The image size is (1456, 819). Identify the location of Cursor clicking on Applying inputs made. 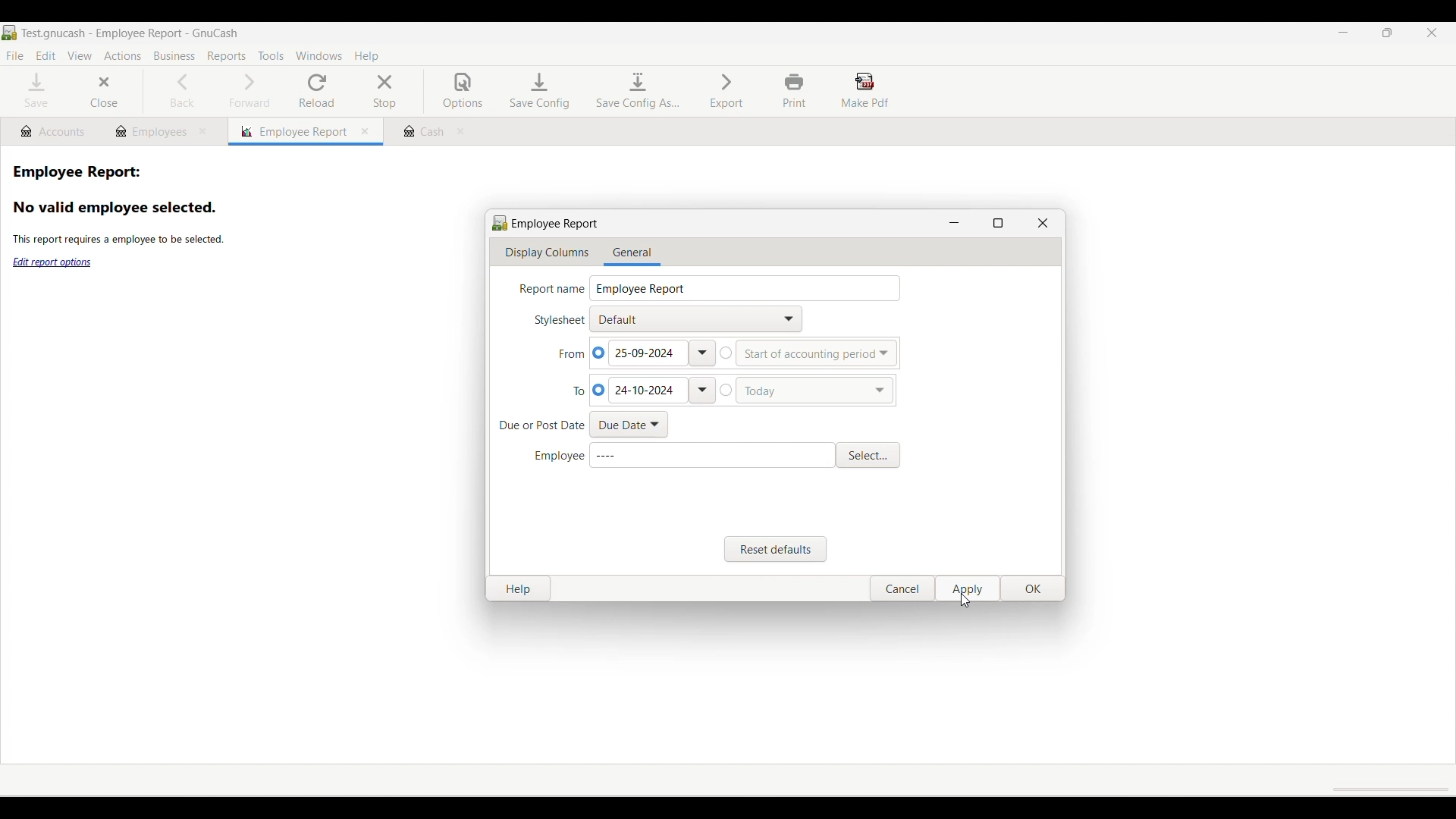
(965, 601).